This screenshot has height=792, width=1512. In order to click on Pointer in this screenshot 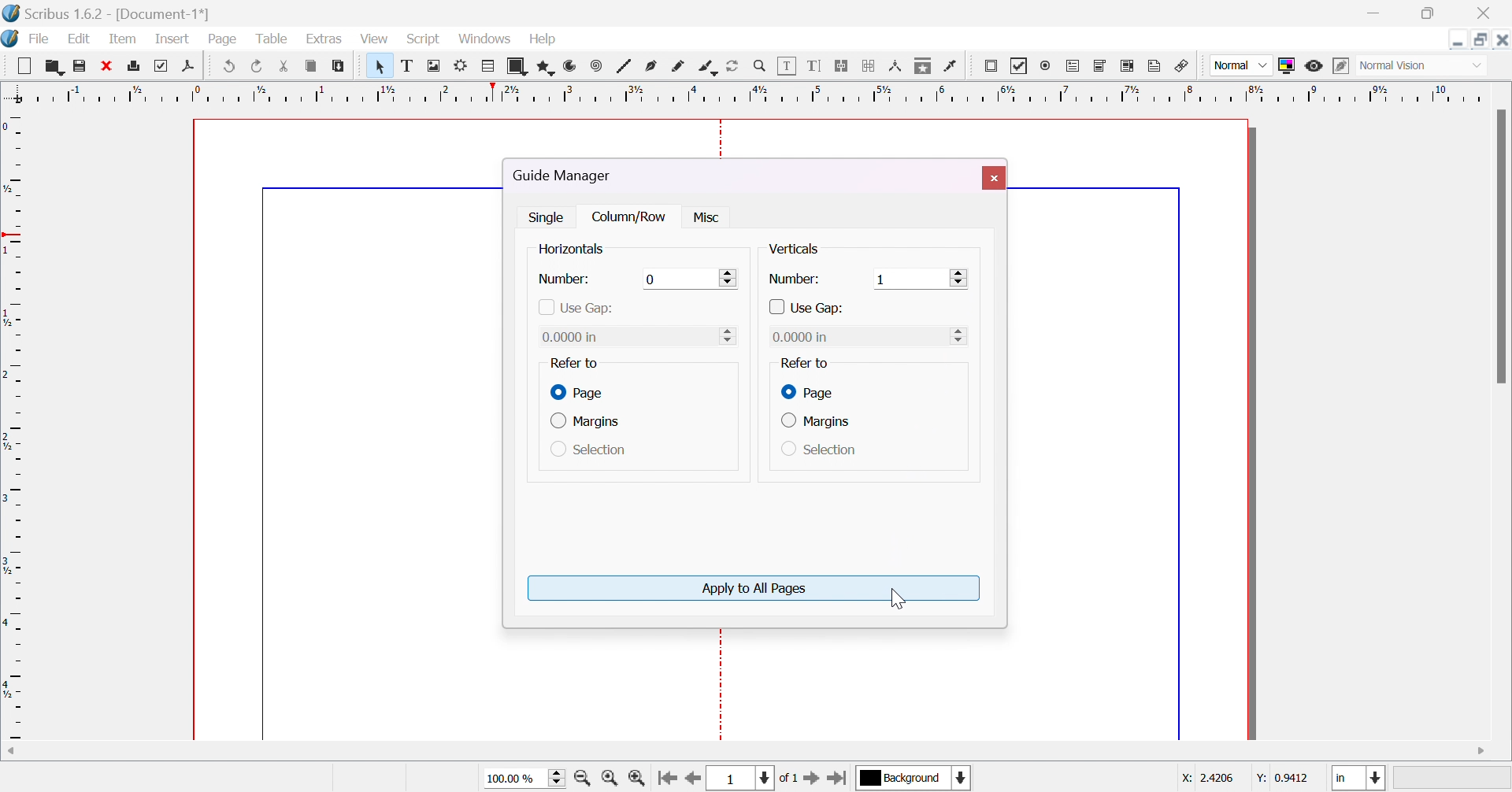, I will do `click(375, 65)`.